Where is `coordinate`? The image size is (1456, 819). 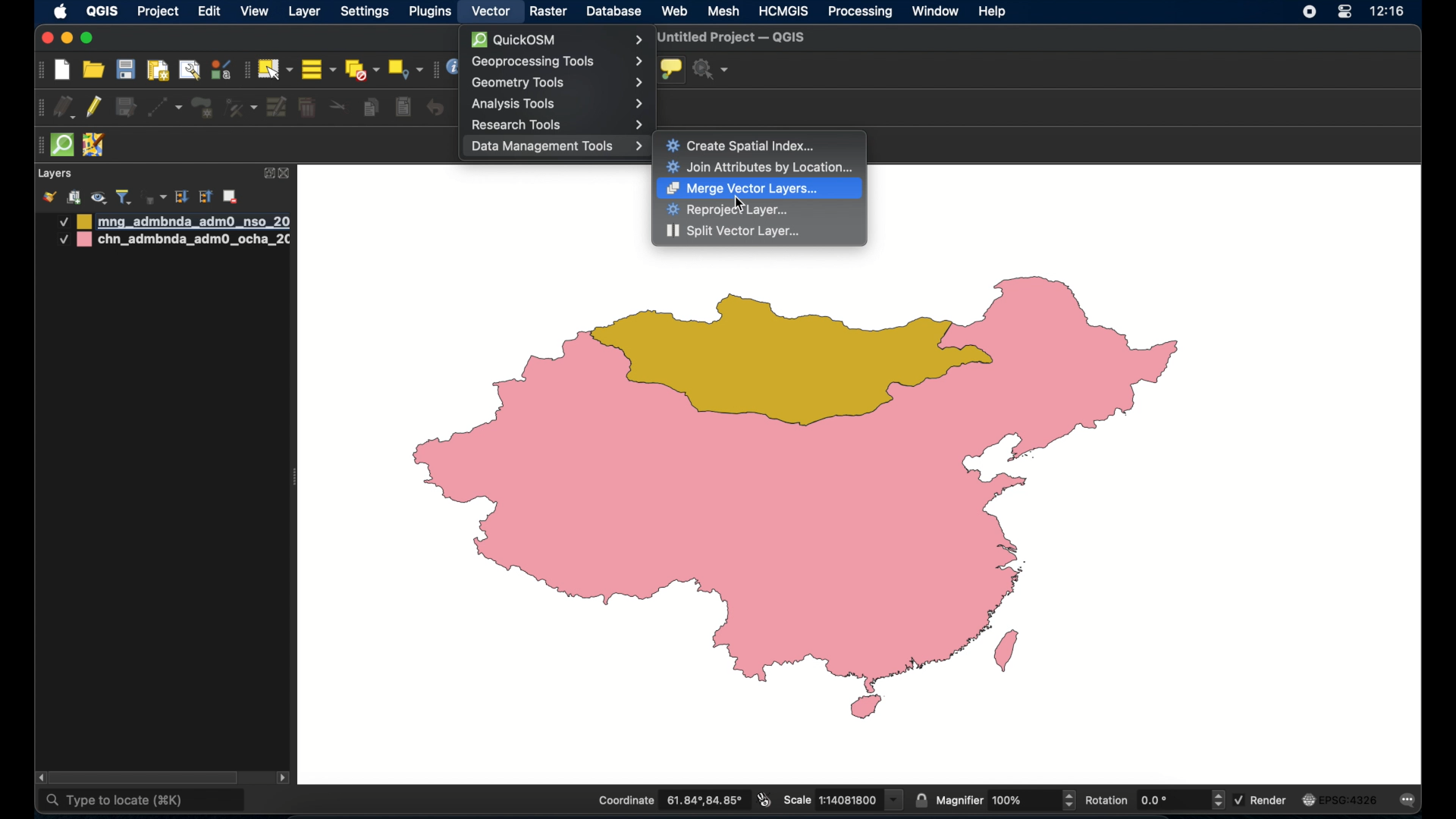 coordinate is located at coordinates (670, 801).